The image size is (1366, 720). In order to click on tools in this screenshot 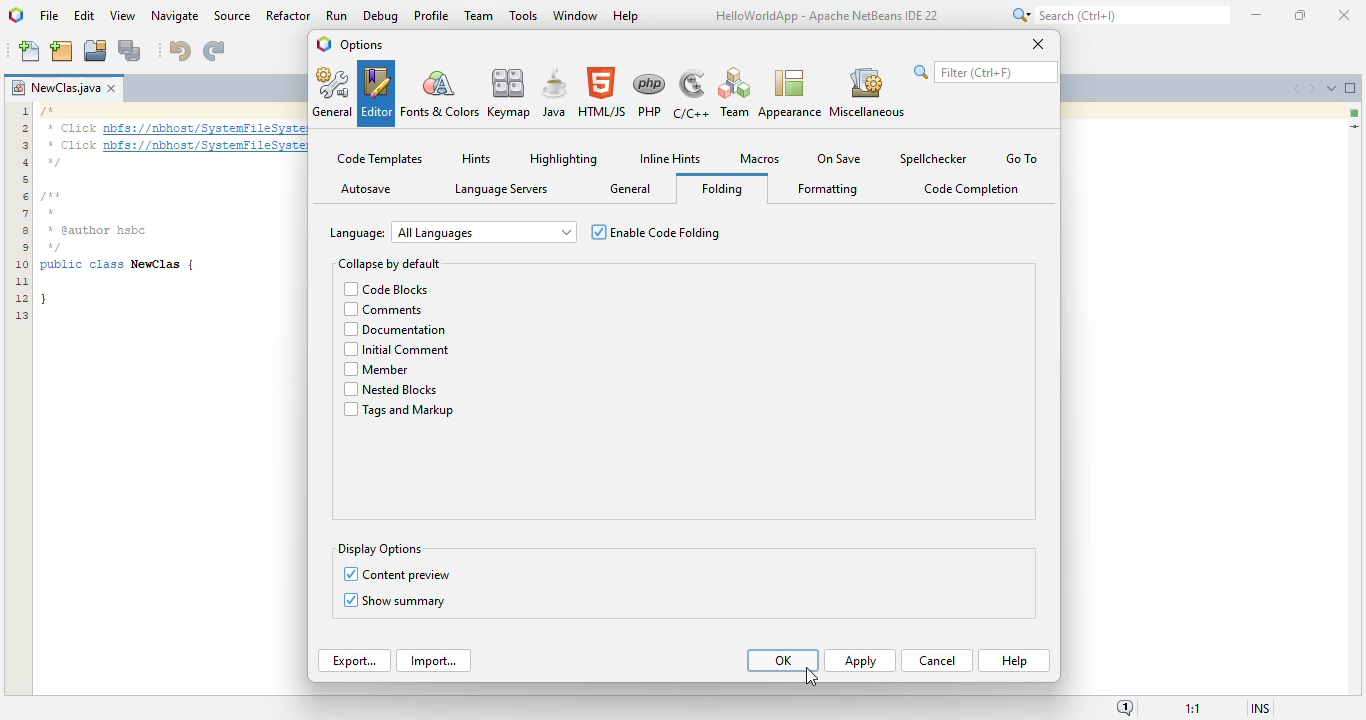, I will do `click(522, 14)`.